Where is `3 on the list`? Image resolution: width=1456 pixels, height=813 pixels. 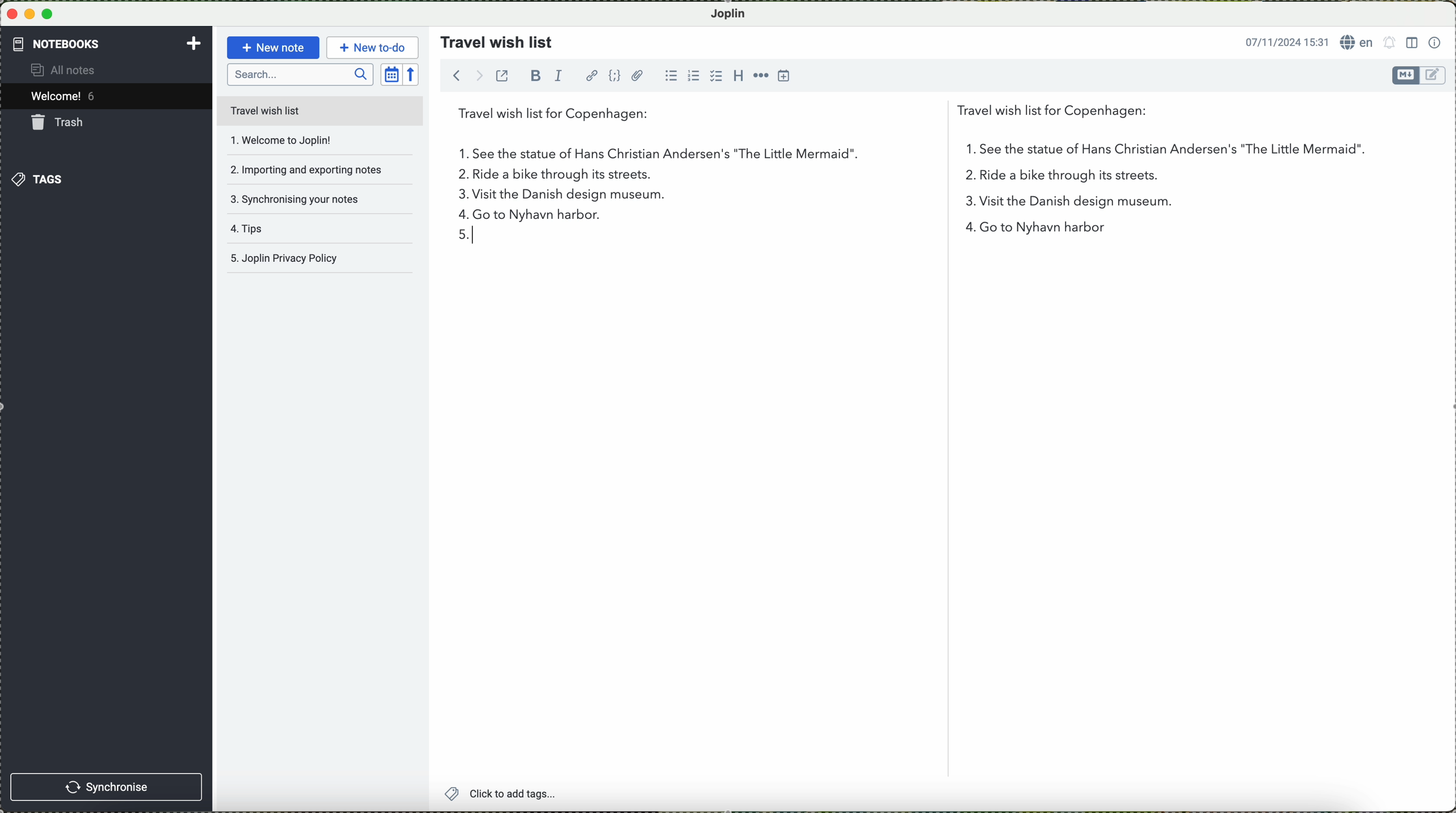
3 on the list is located at coordinates (455, 197).